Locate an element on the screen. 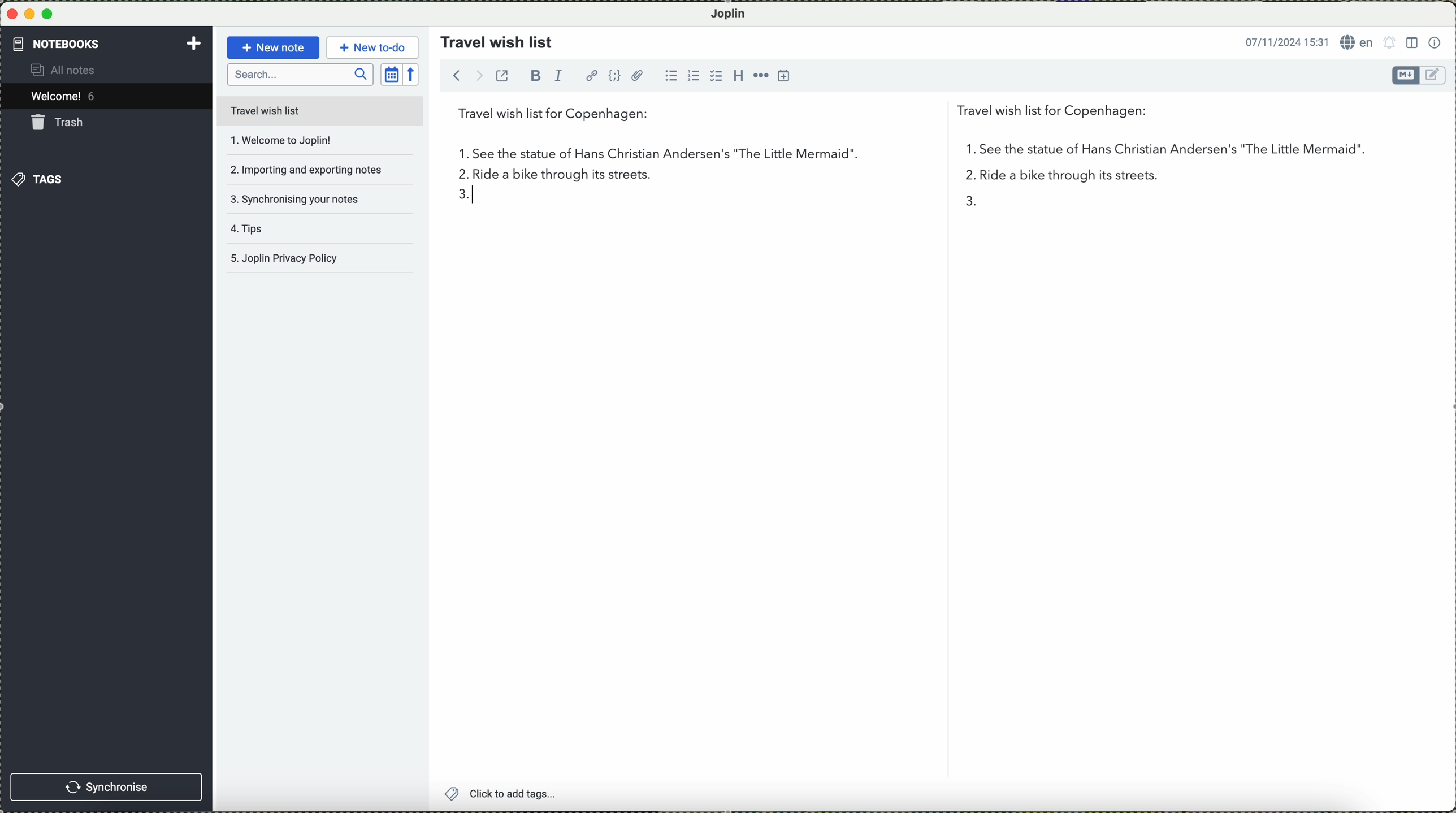 Image resolution: width=1456 pixels, height=813 pixels. horizontal rule is located at coordinates (760, 75).